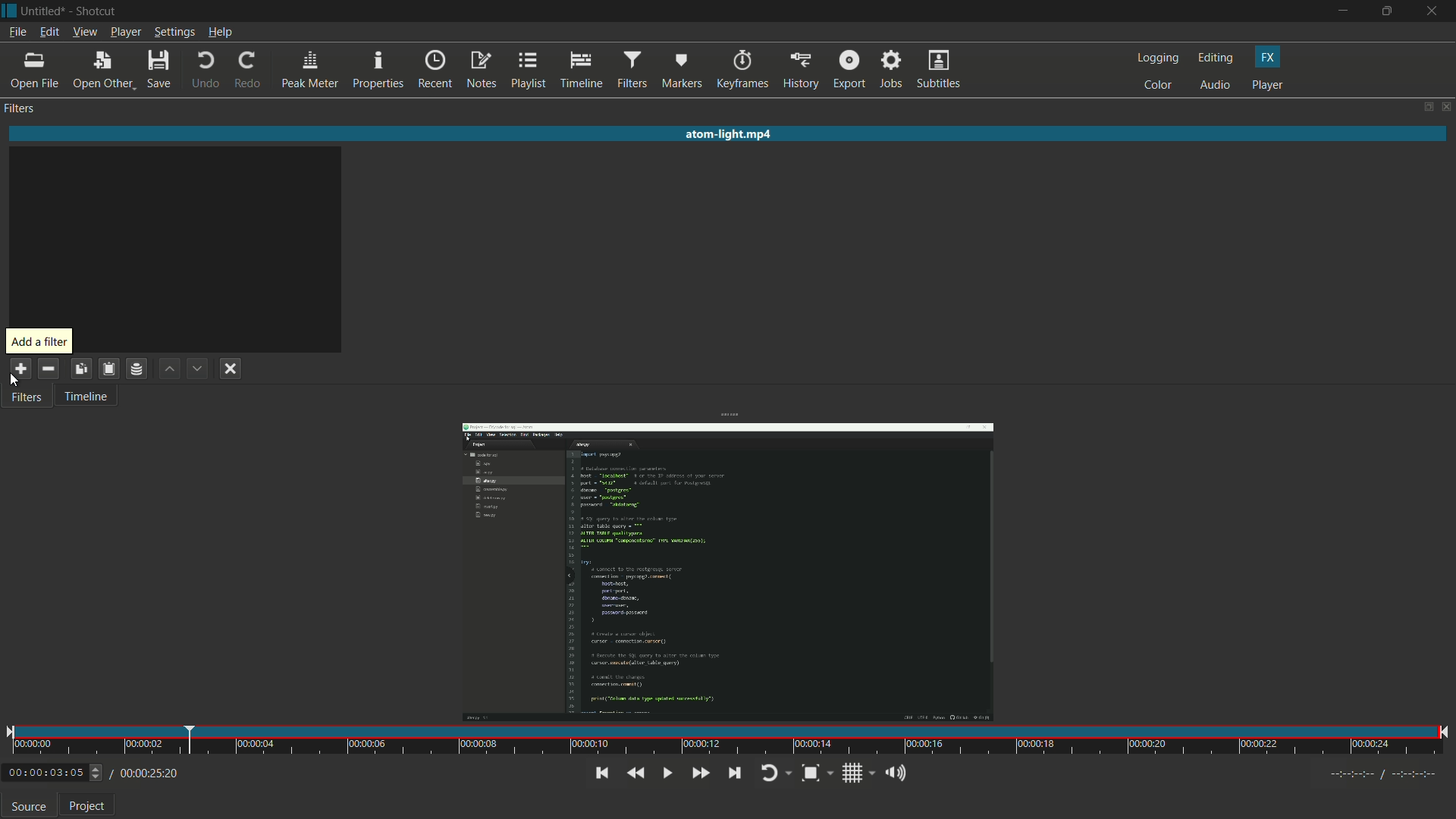 Image resolution: width=1456 pixels, height=819 pixels. I want to click on file menu, so click(17, 32).